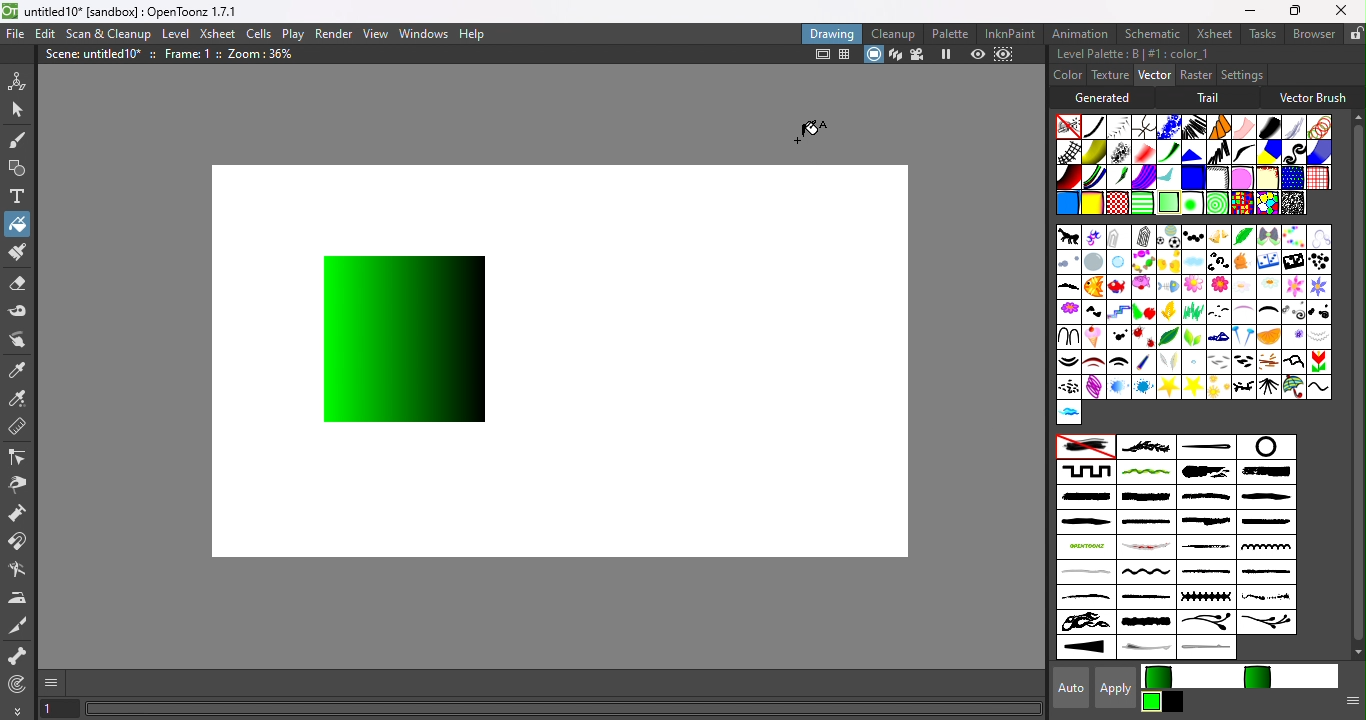 Image resolution: width=1366 pixels, height=720 pixels. What do you see at coordinates (1216, 151) in the screenshot?
I see `ZigZag` at bounding box center [1216, 151].